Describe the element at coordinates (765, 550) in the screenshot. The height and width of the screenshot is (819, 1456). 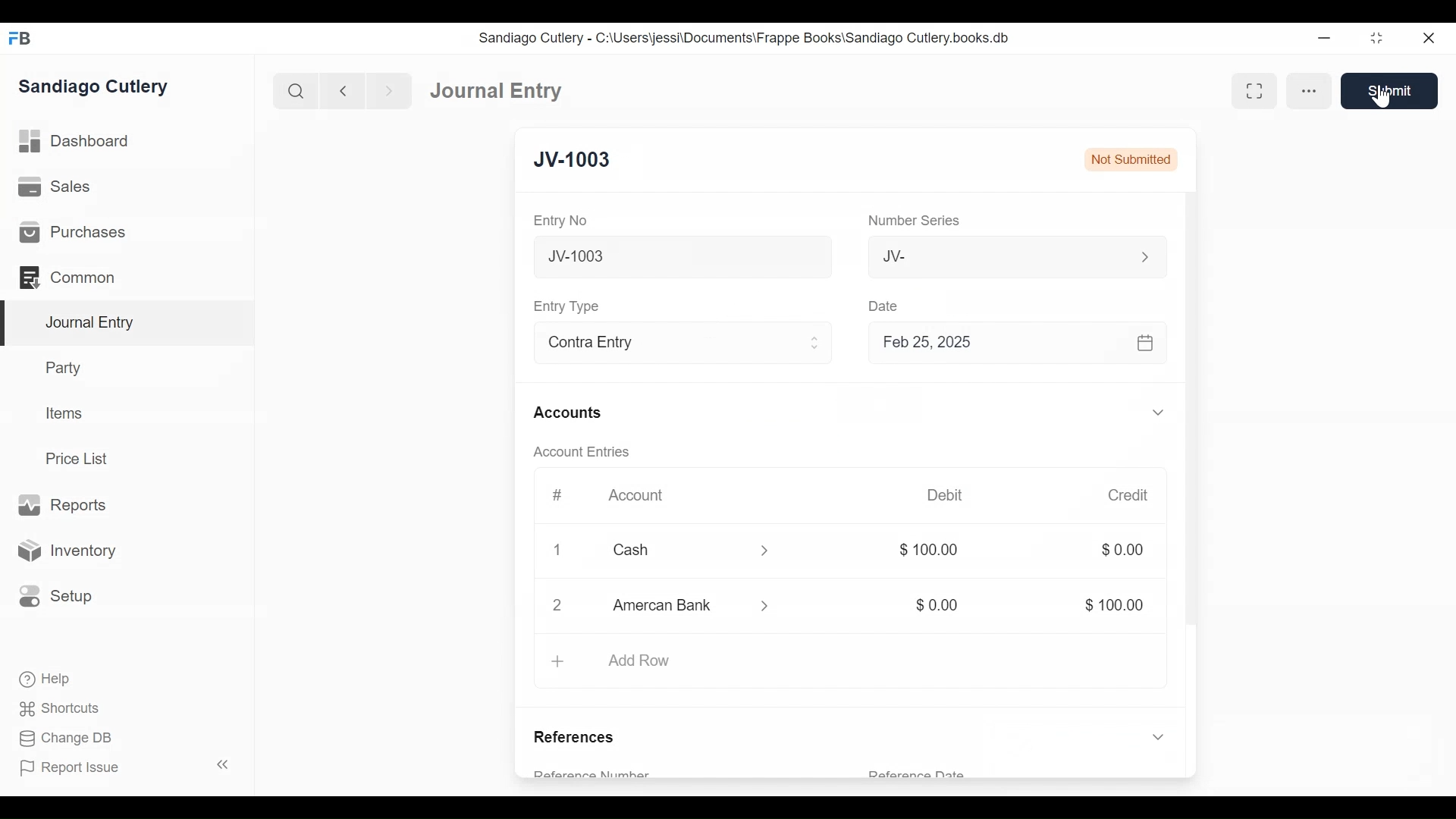
I see `Expand` at that location.